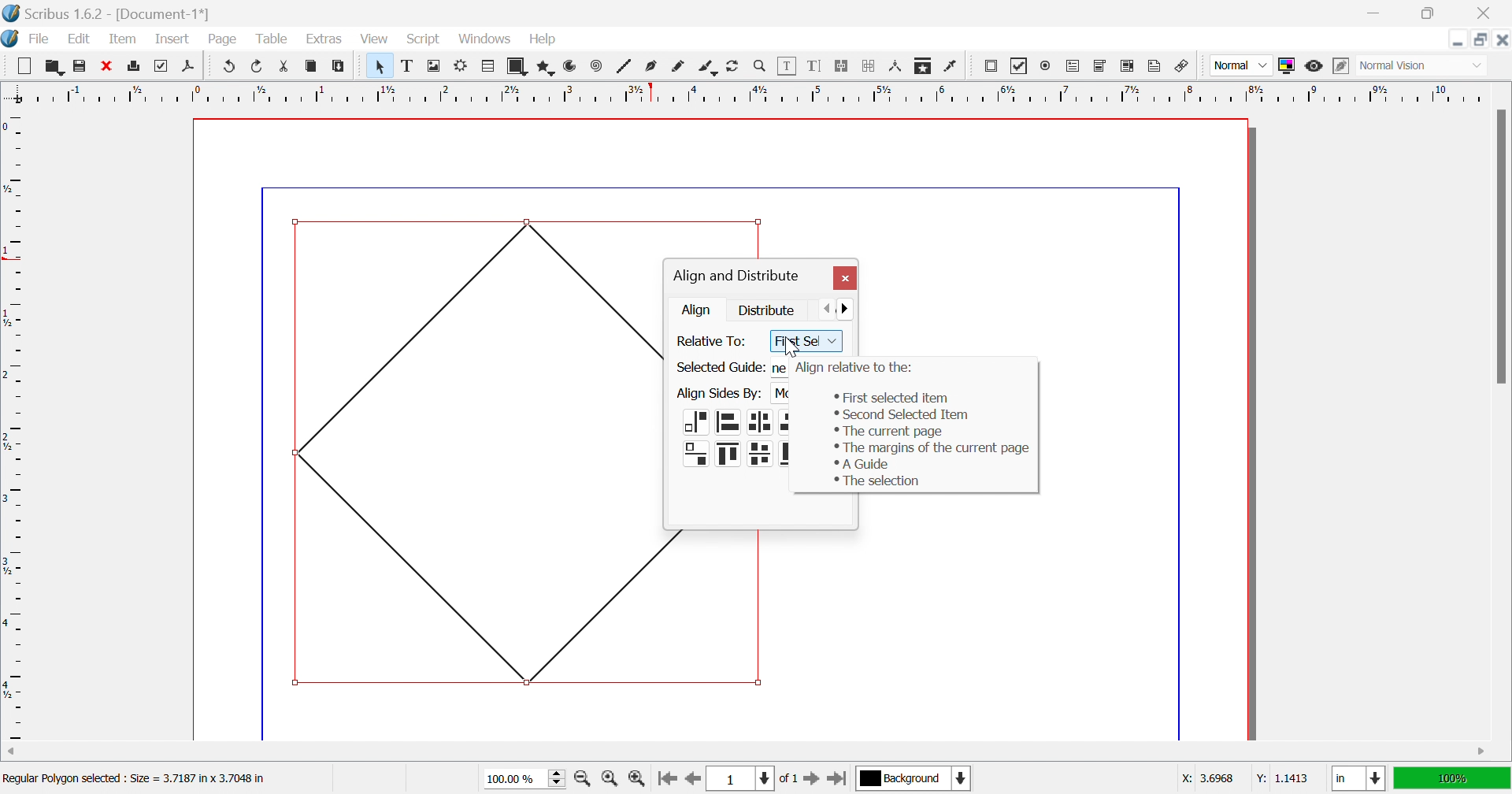 The width and height of the screenshot is (1512, 794). I want to click on Restore down, so click(1426, 13).